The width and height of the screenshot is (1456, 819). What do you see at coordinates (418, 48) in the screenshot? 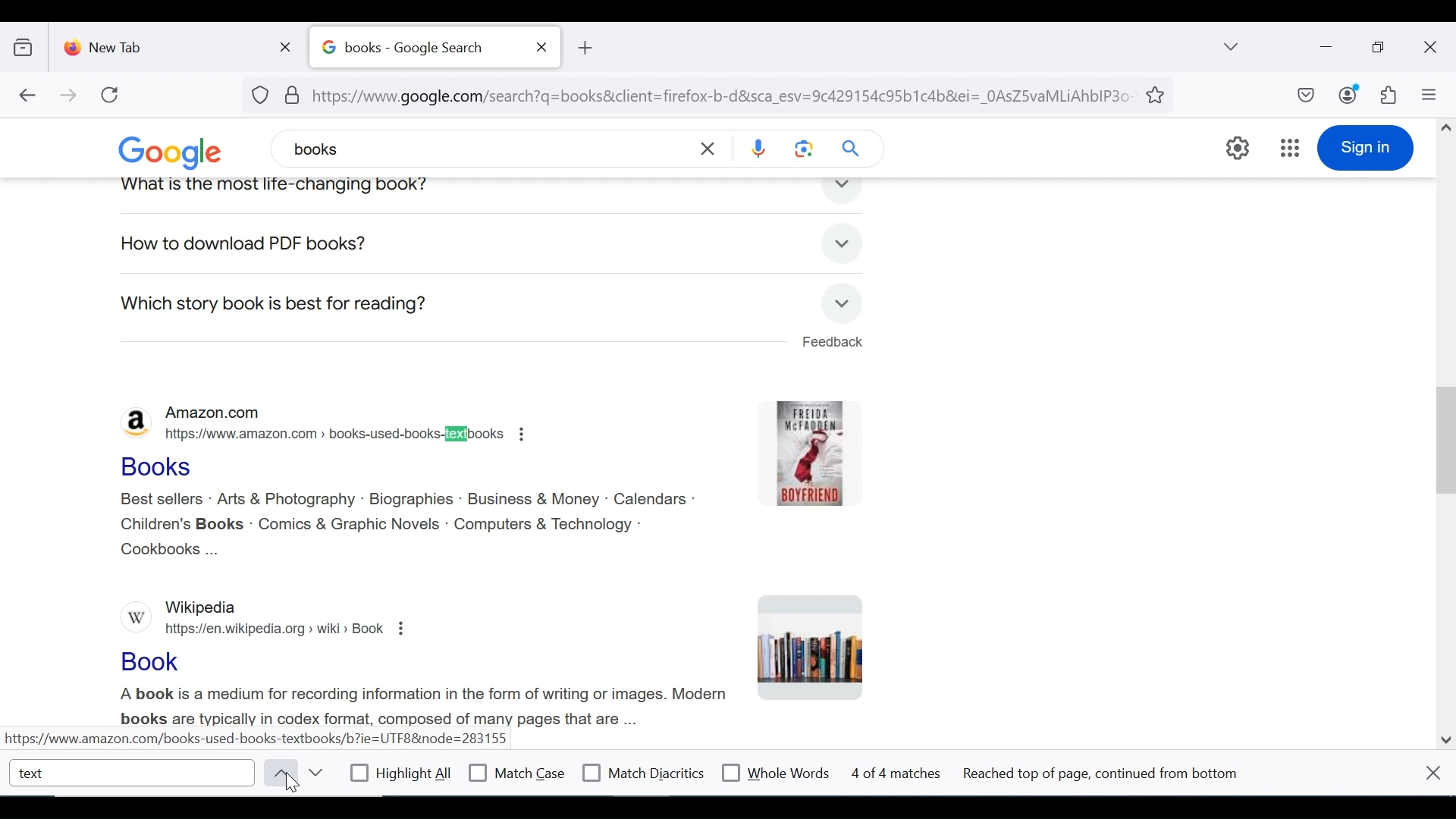
I see `books - Google Search` at bounding box center [418, 48].